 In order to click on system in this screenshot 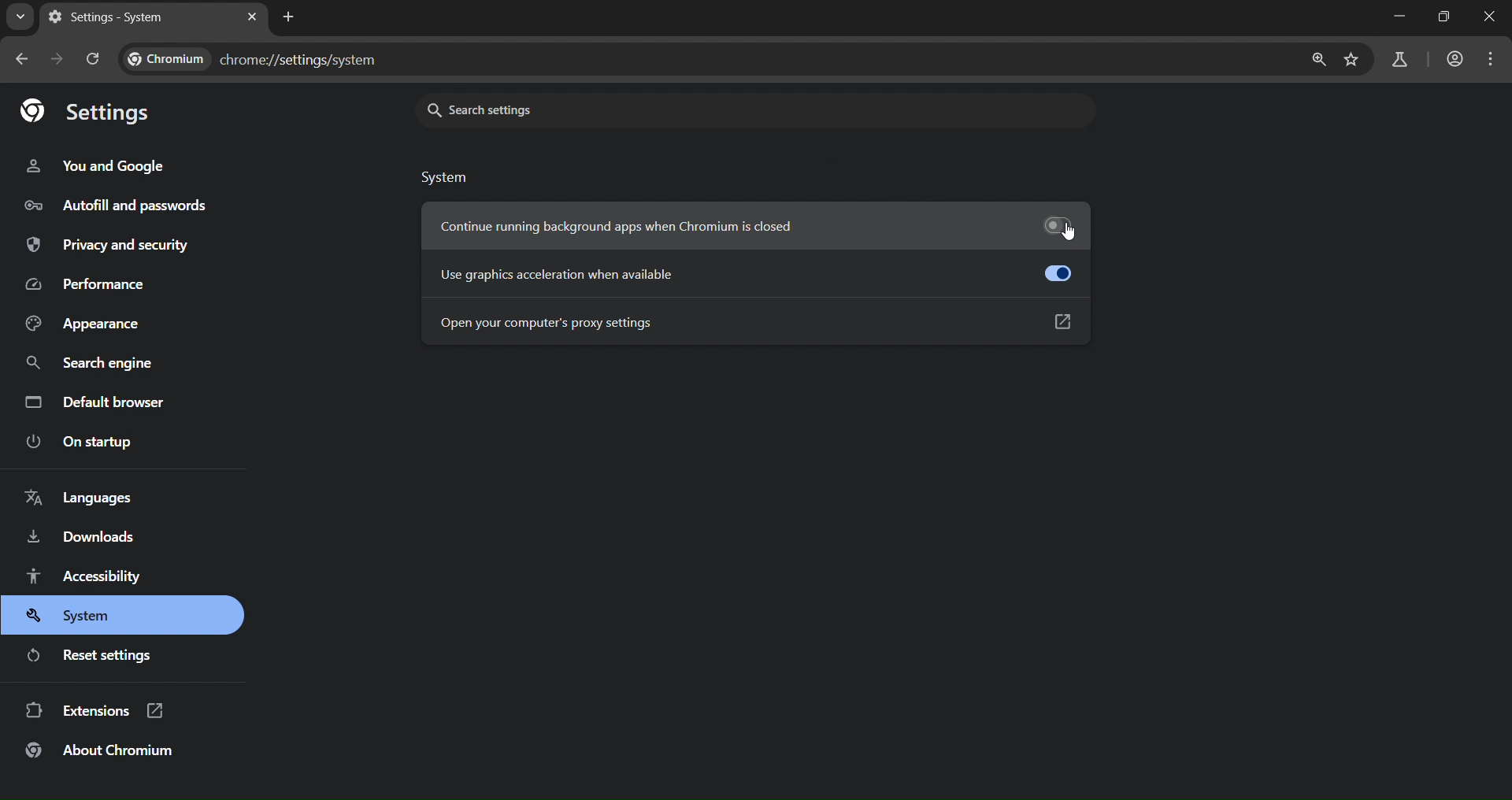, I will do `click(448, 179)`.